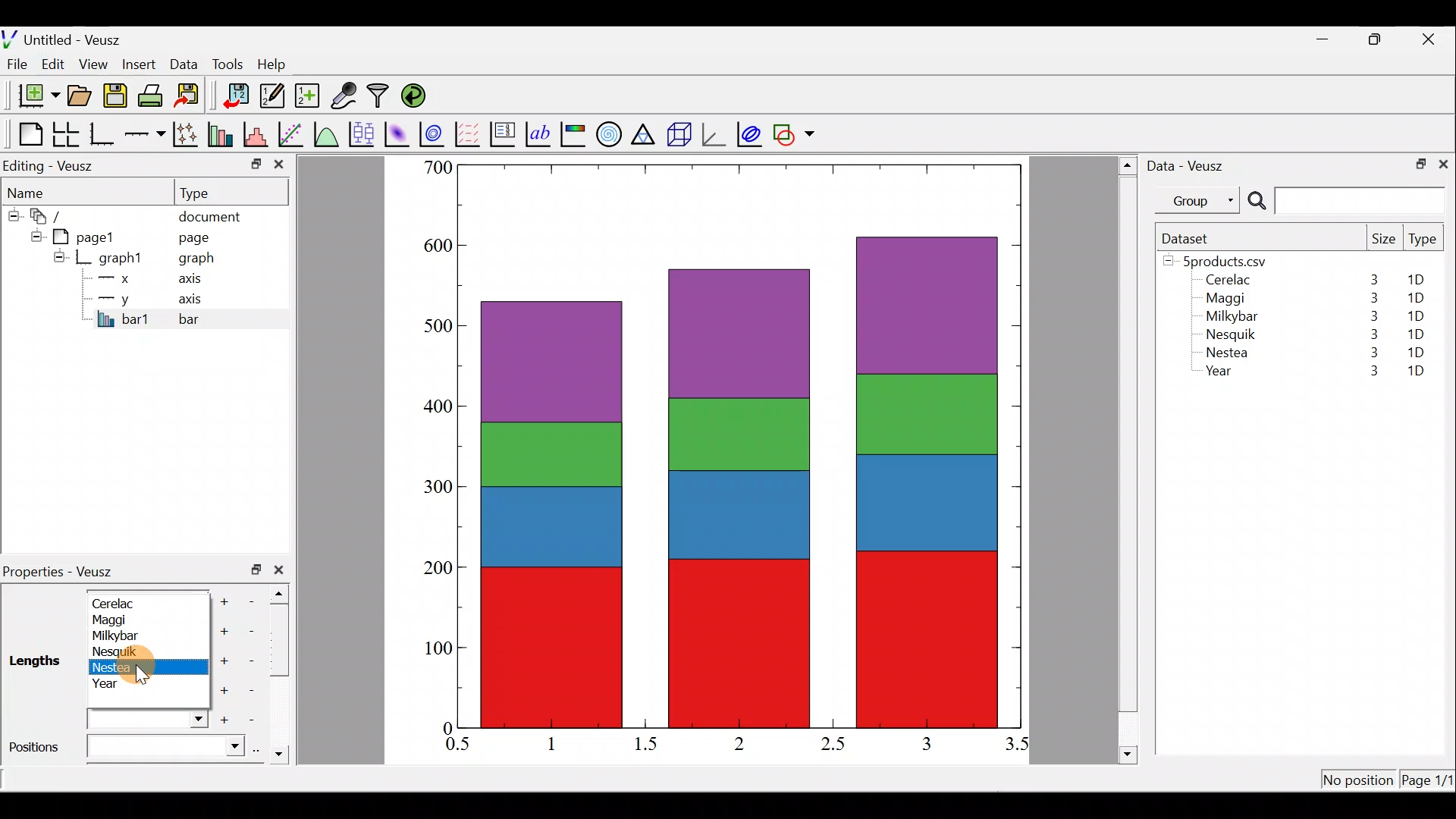 This screenshot has width=1456, height=819. I want to click on Maggi, so click(112, 619).